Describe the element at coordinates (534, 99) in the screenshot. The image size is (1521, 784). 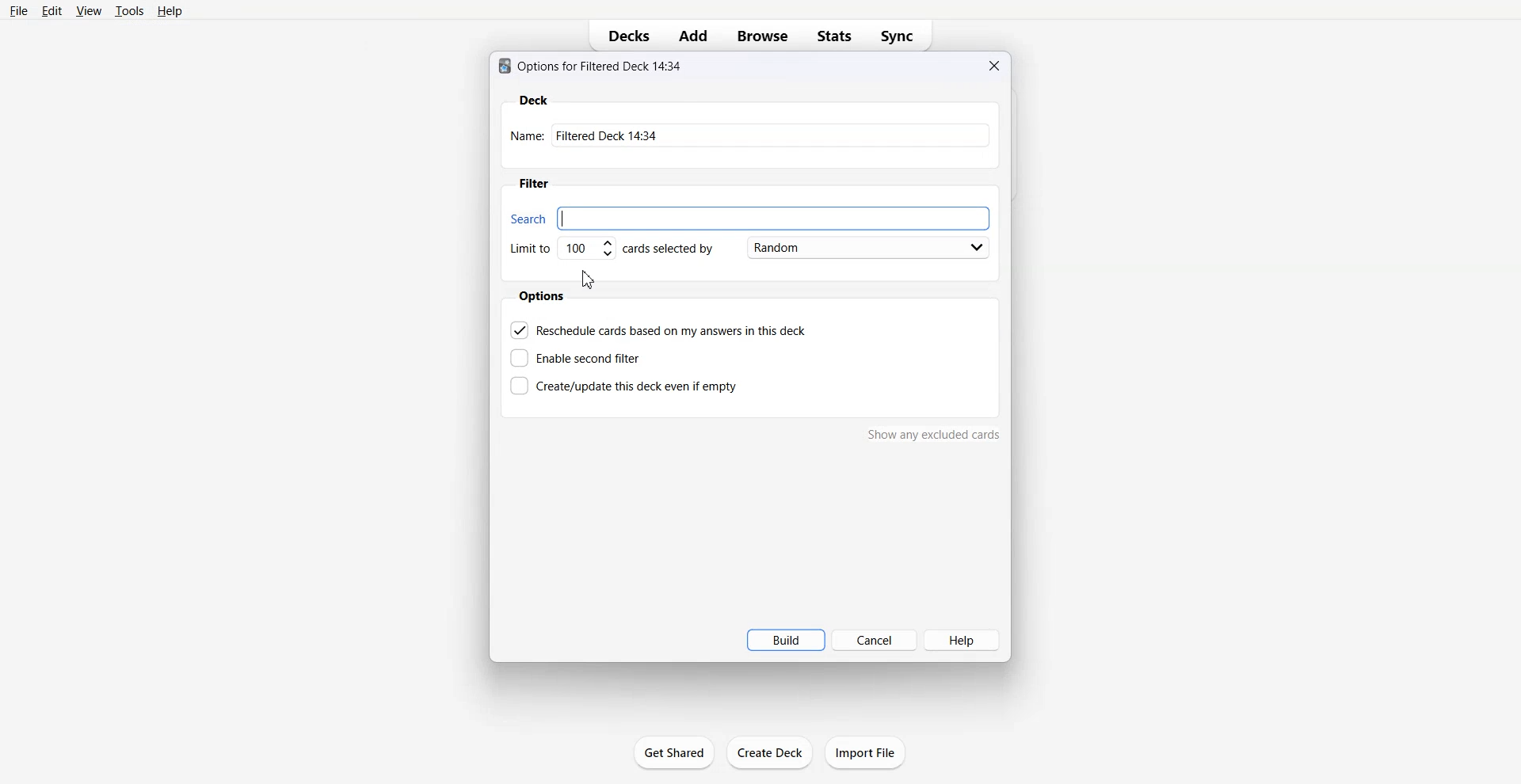
I see `Deck` at that location.